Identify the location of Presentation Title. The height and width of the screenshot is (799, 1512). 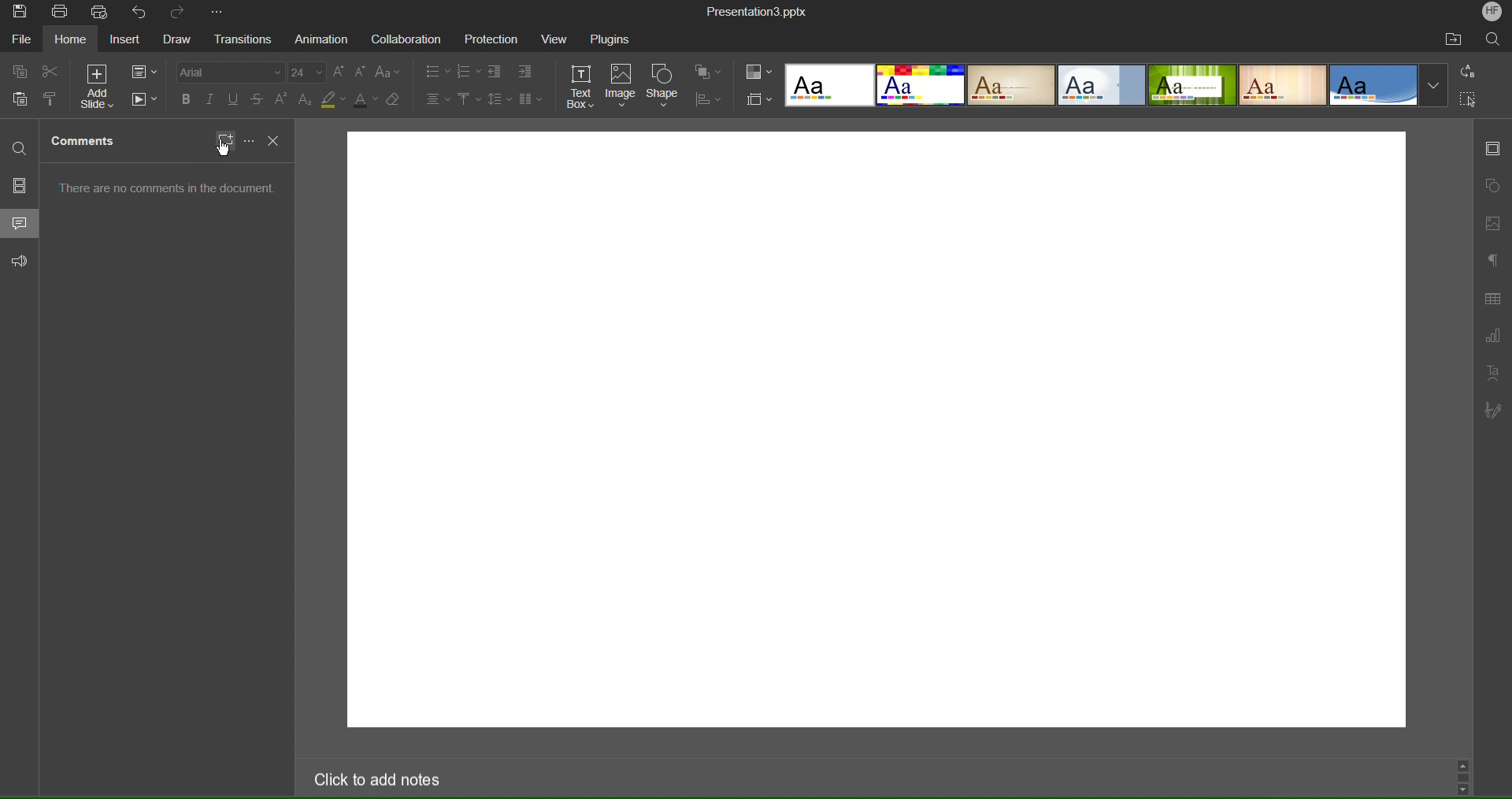
(754, 12).